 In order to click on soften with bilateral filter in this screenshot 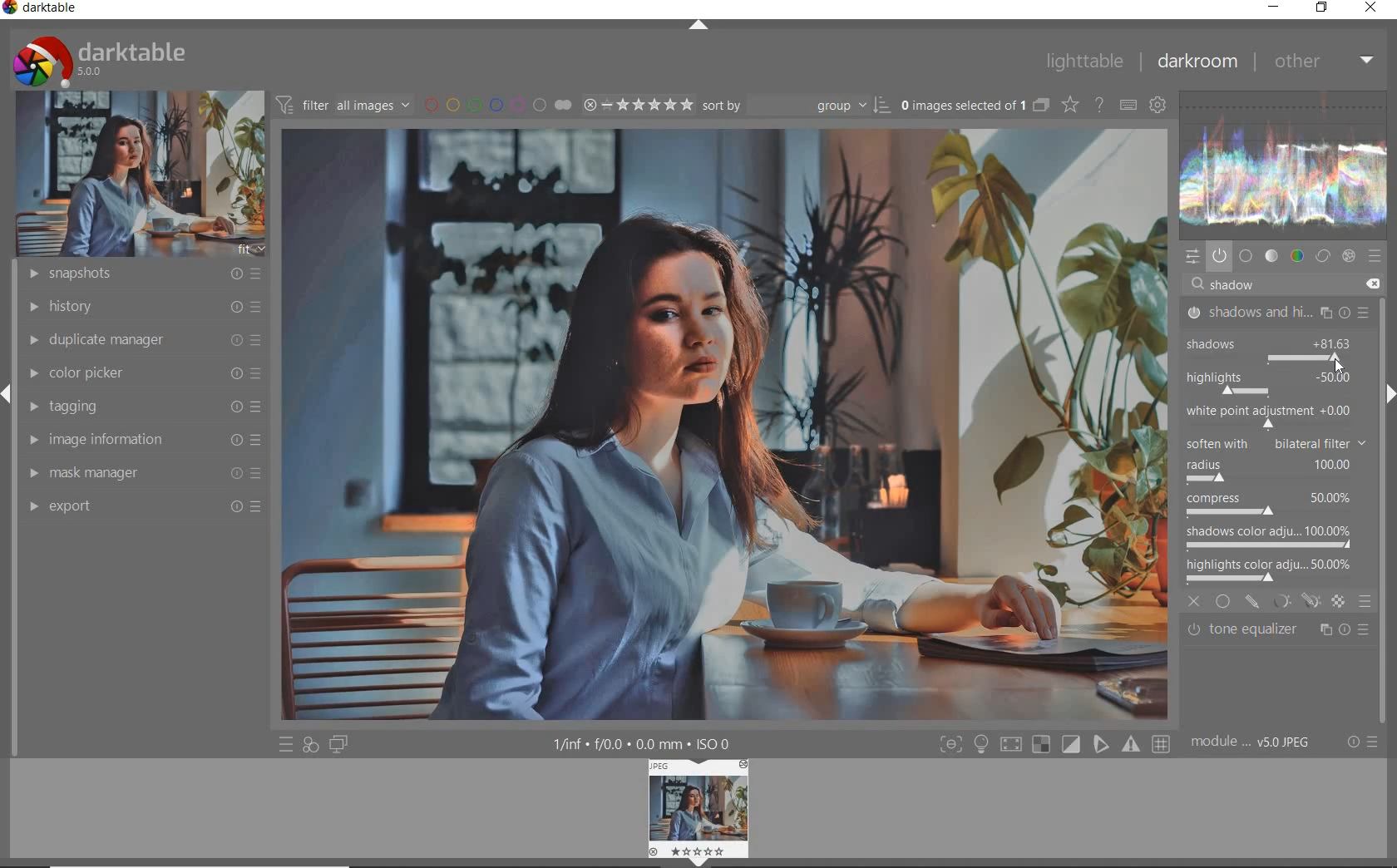, I will do `click(1275, 441)`.